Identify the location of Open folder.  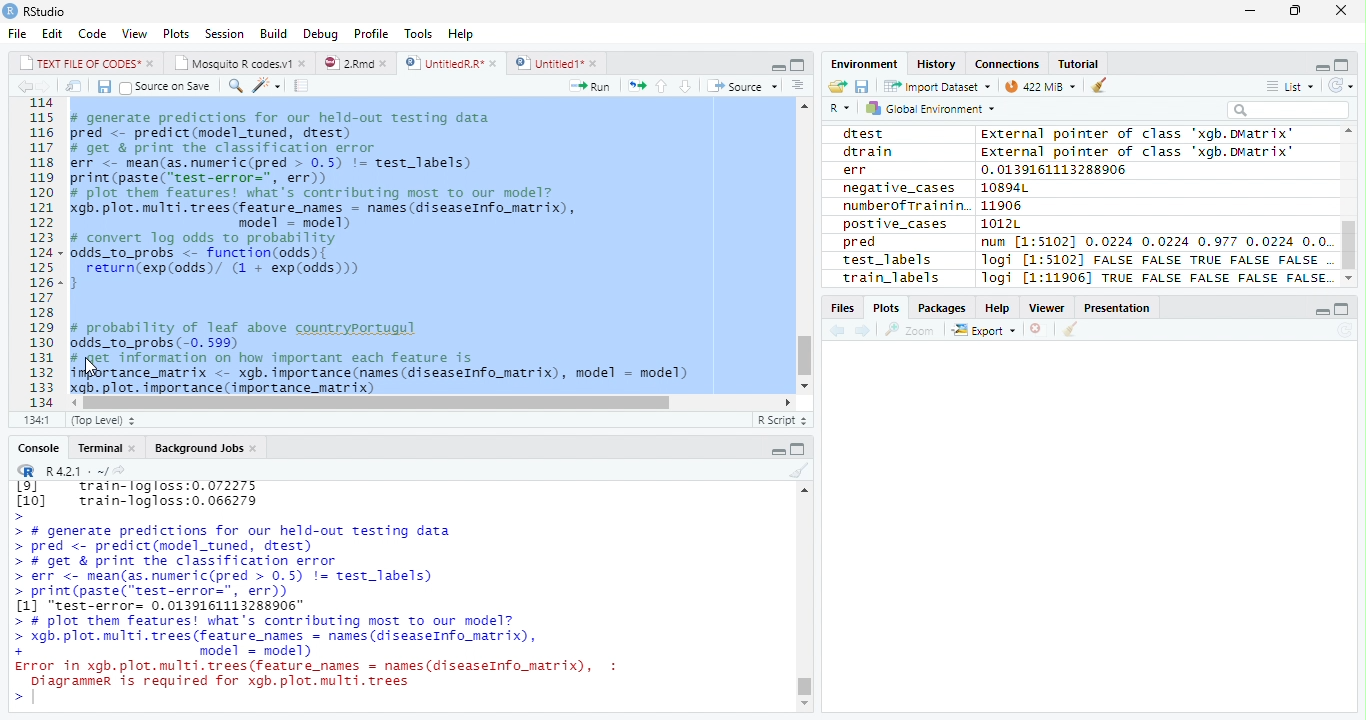
(837, 85).